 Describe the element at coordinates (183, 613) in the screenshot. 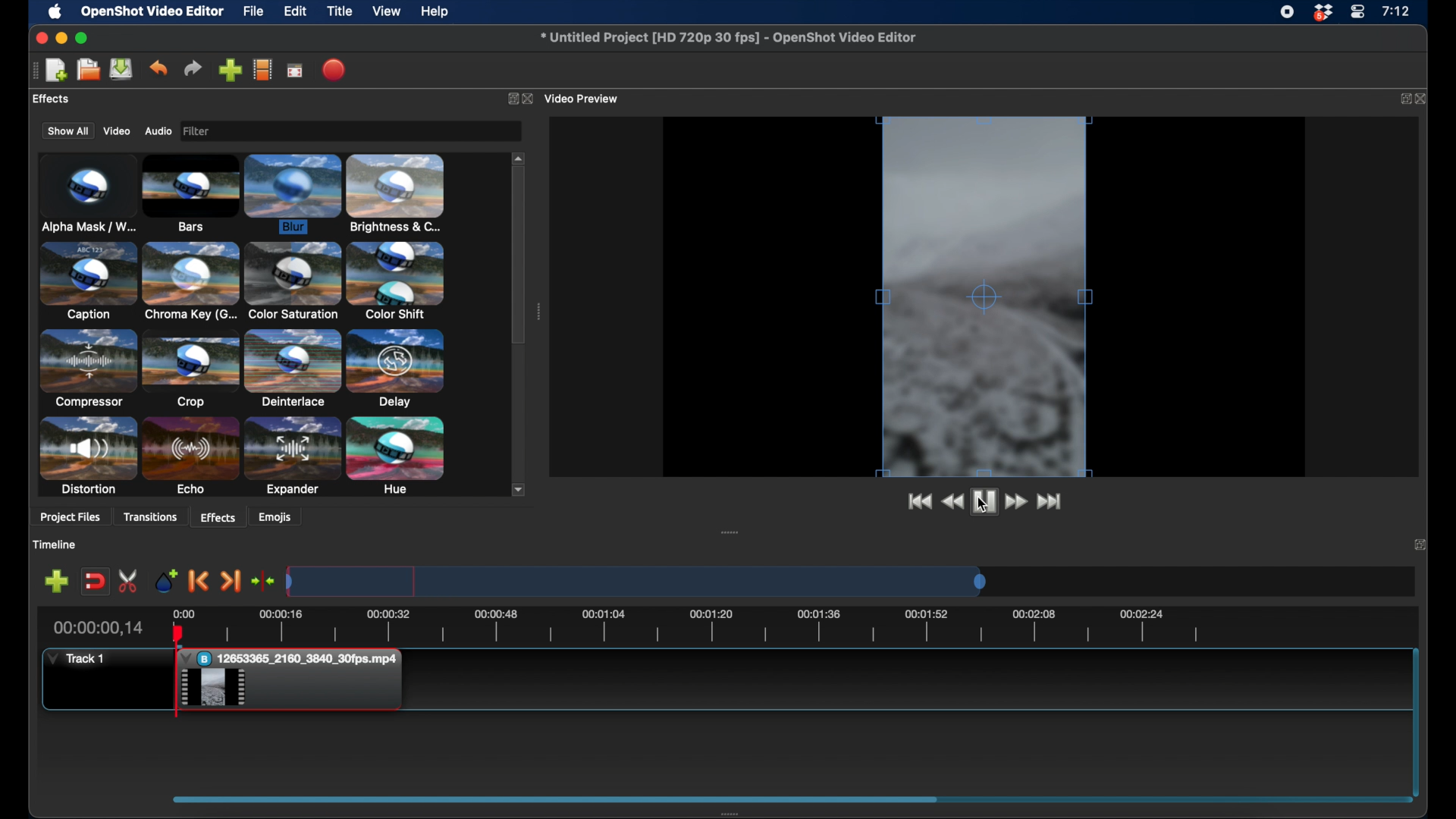

I see `0.00` at that location.